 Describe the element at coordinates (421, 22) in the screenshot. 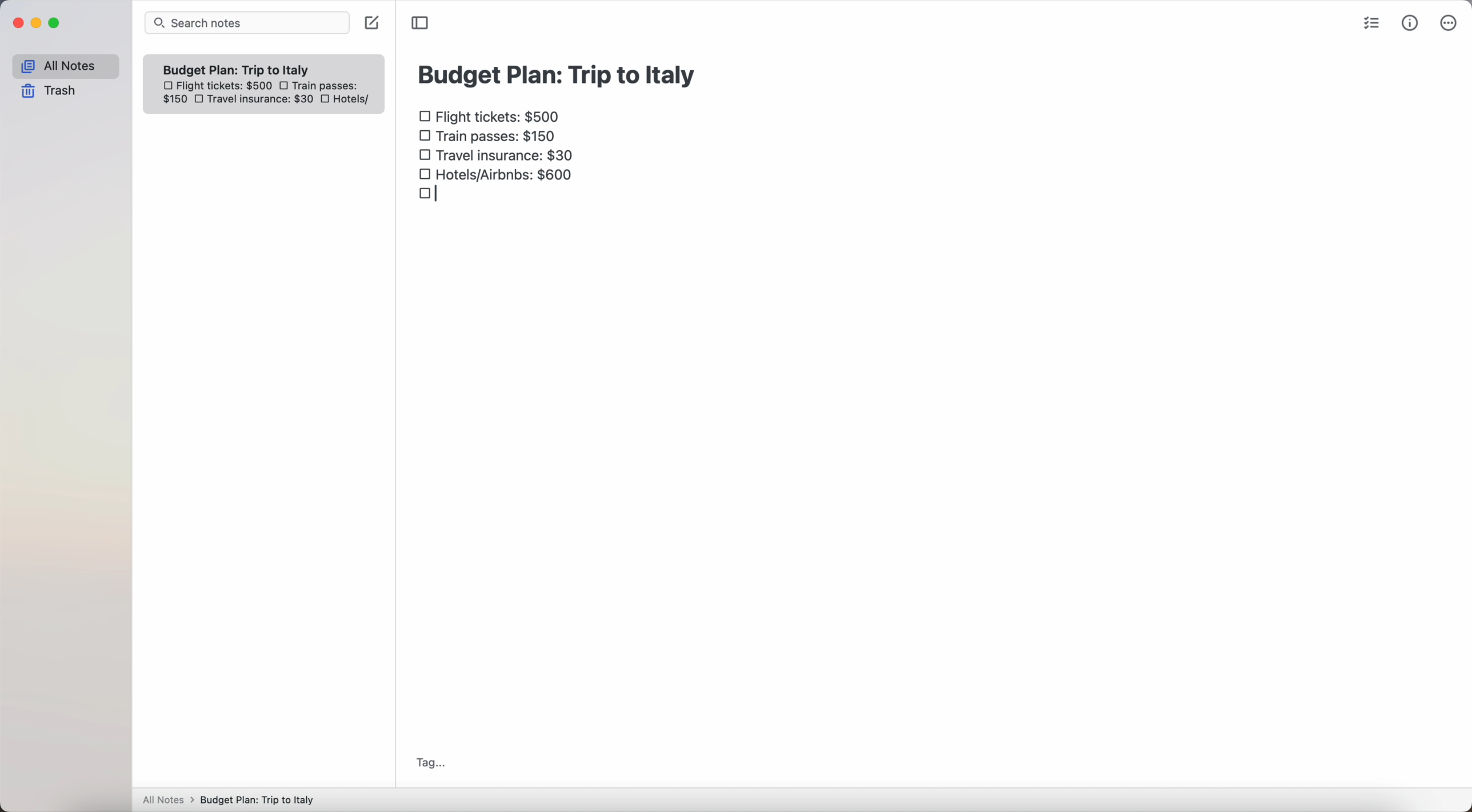

I see `toggle sidebar` at that location.